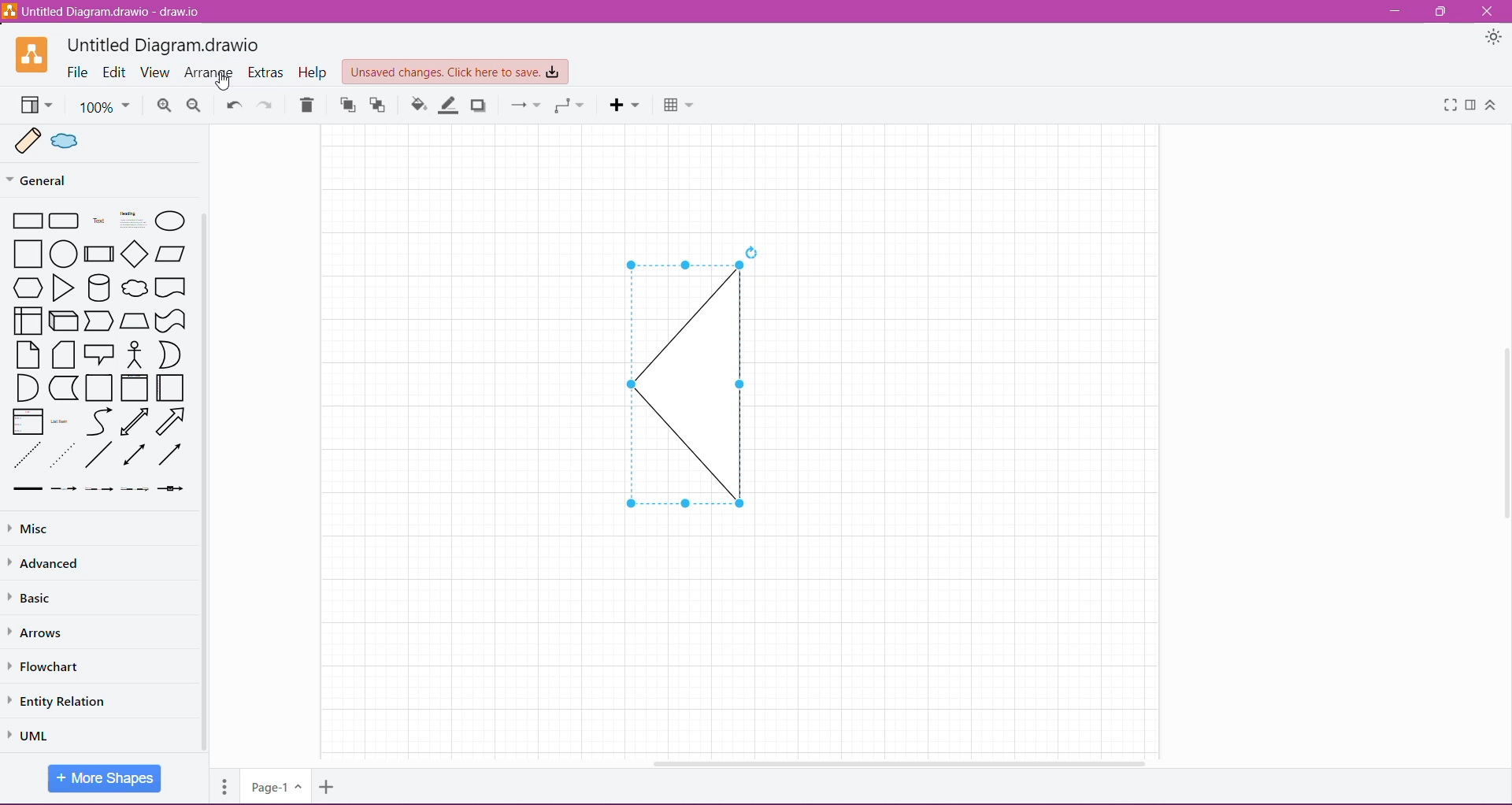  I want to click on Unsaved Changes. Click here to save, so click(454, 72).